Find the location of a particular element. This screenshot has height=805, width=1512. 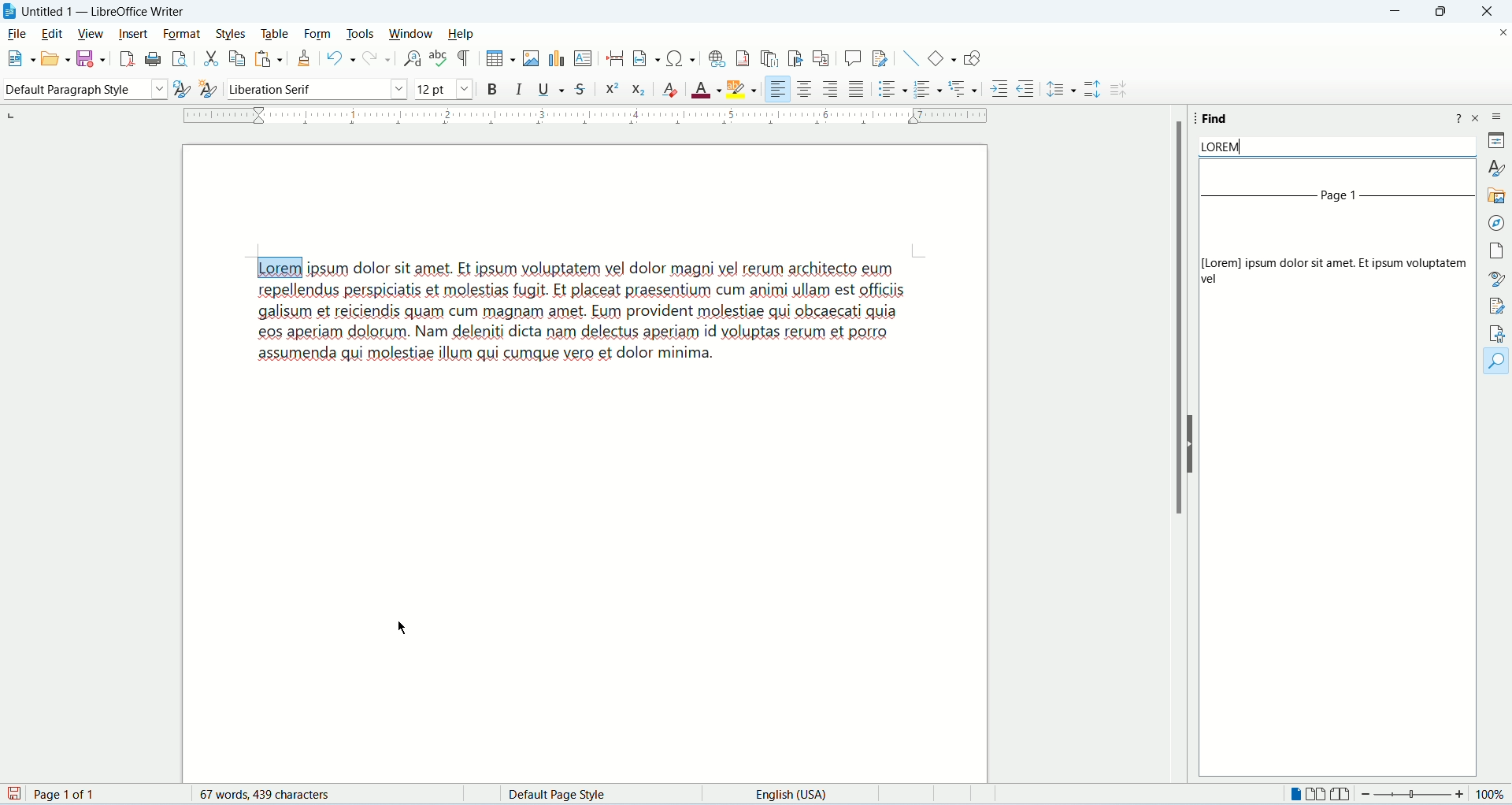

help is located at coordinates (463, 34).